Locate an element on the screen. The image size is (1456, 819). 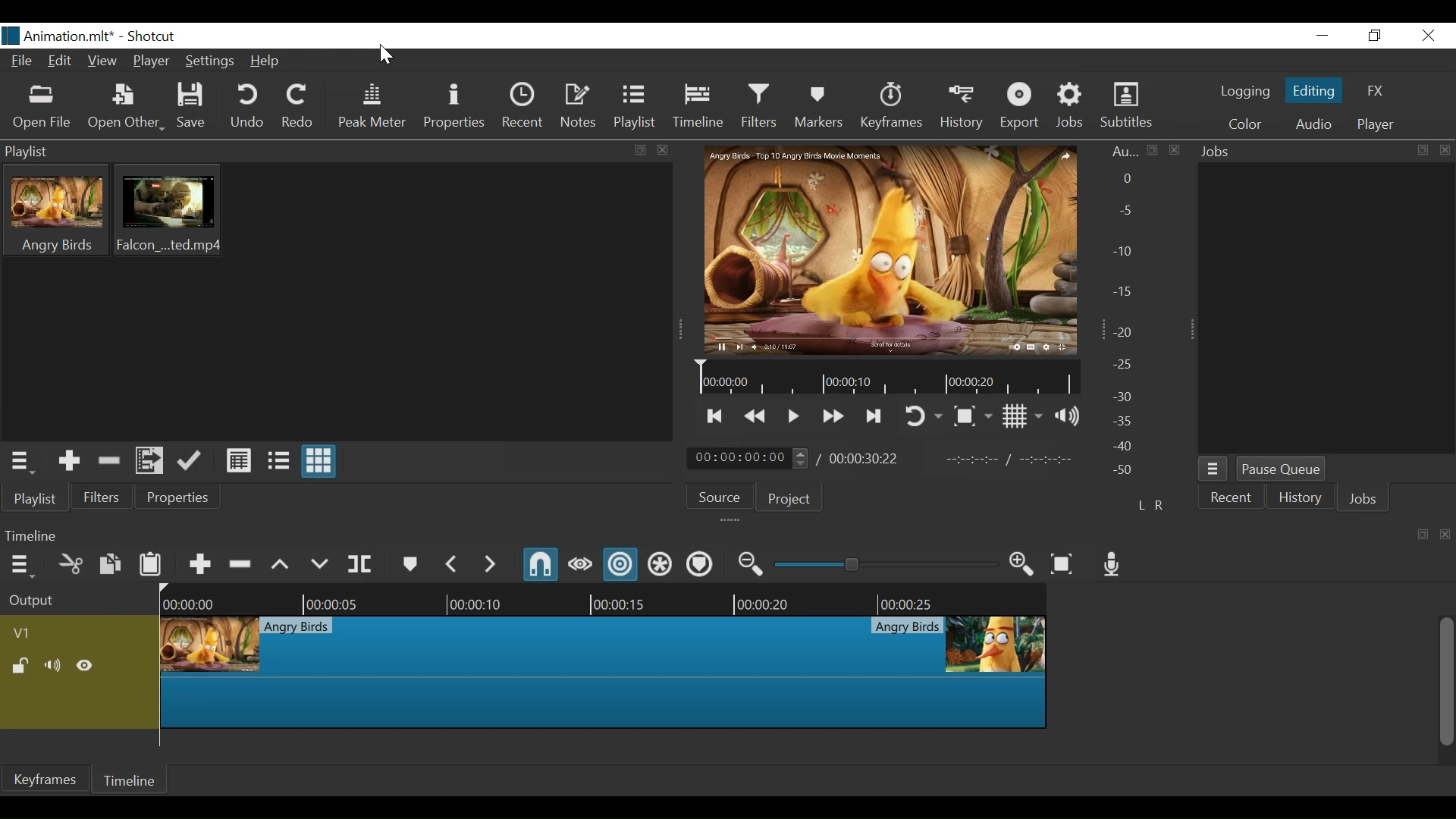
Playlist is located at coordinates (635, 108).